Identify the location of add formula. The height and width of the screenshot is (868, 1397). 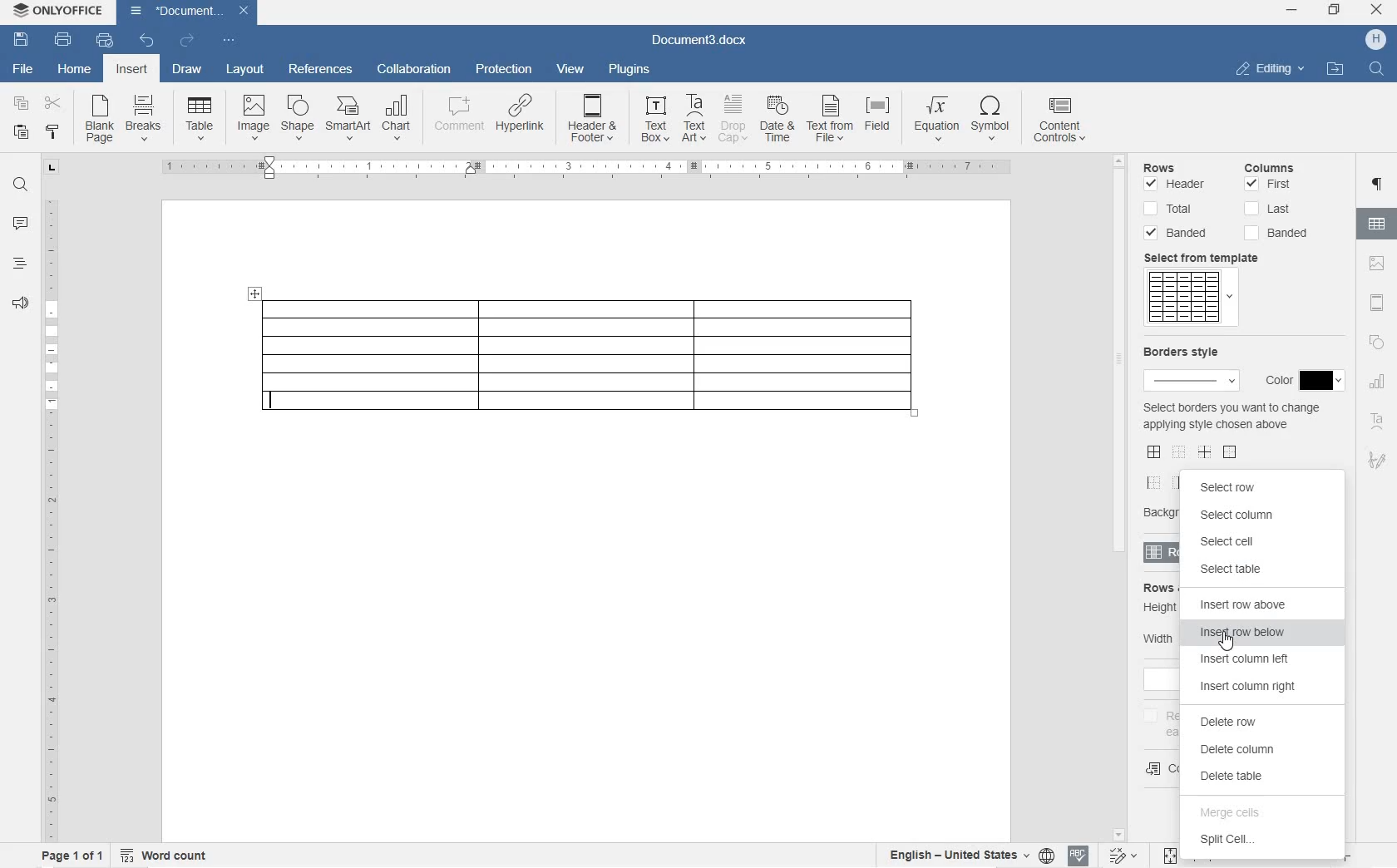
(1157, 679).